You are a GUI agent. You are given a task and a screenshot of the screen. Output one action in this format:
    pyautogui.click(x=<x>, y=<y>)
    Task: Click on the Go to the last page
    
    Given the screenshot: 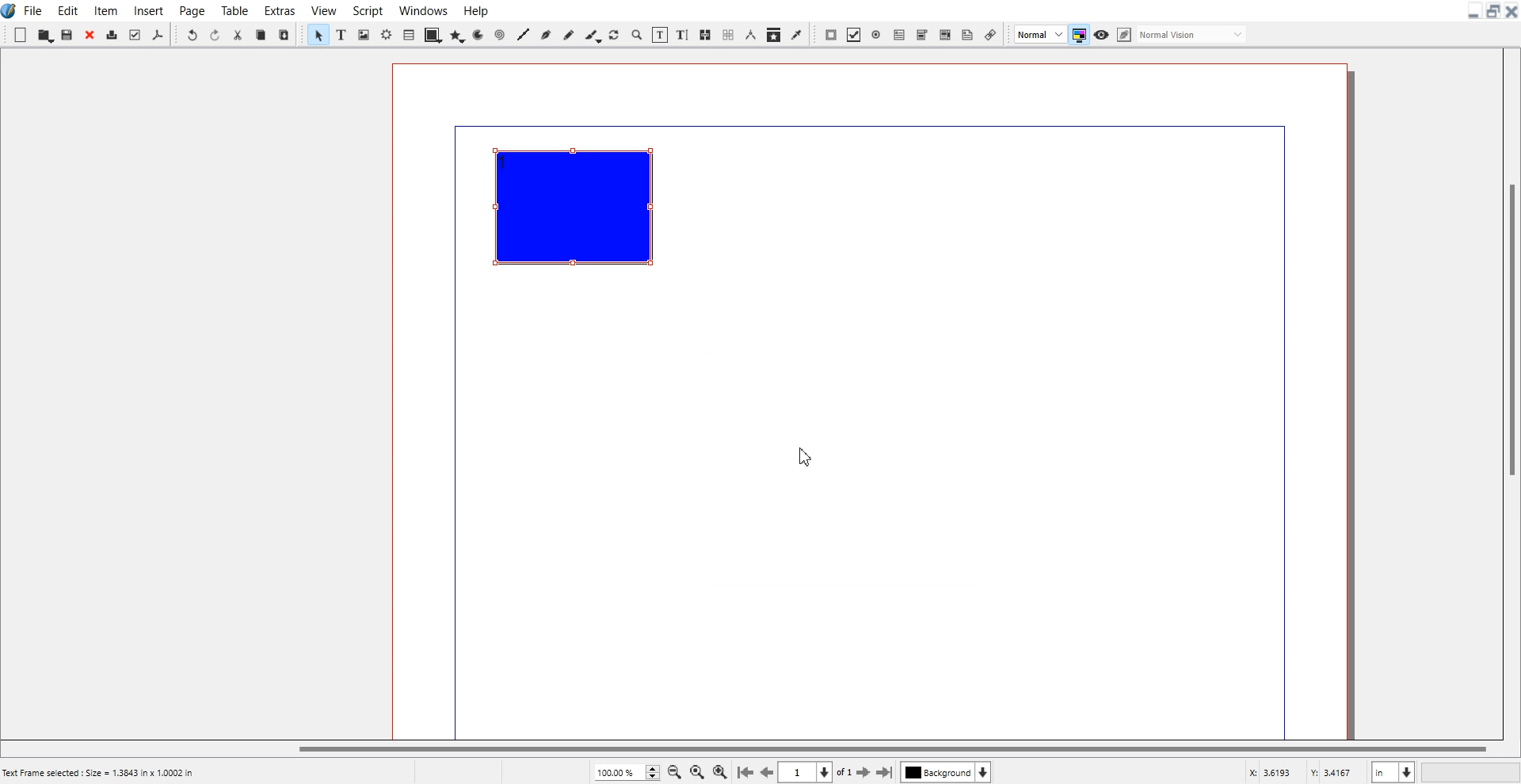 What is the action you would take?
    pyautogui.click(x=884, y=772)
    